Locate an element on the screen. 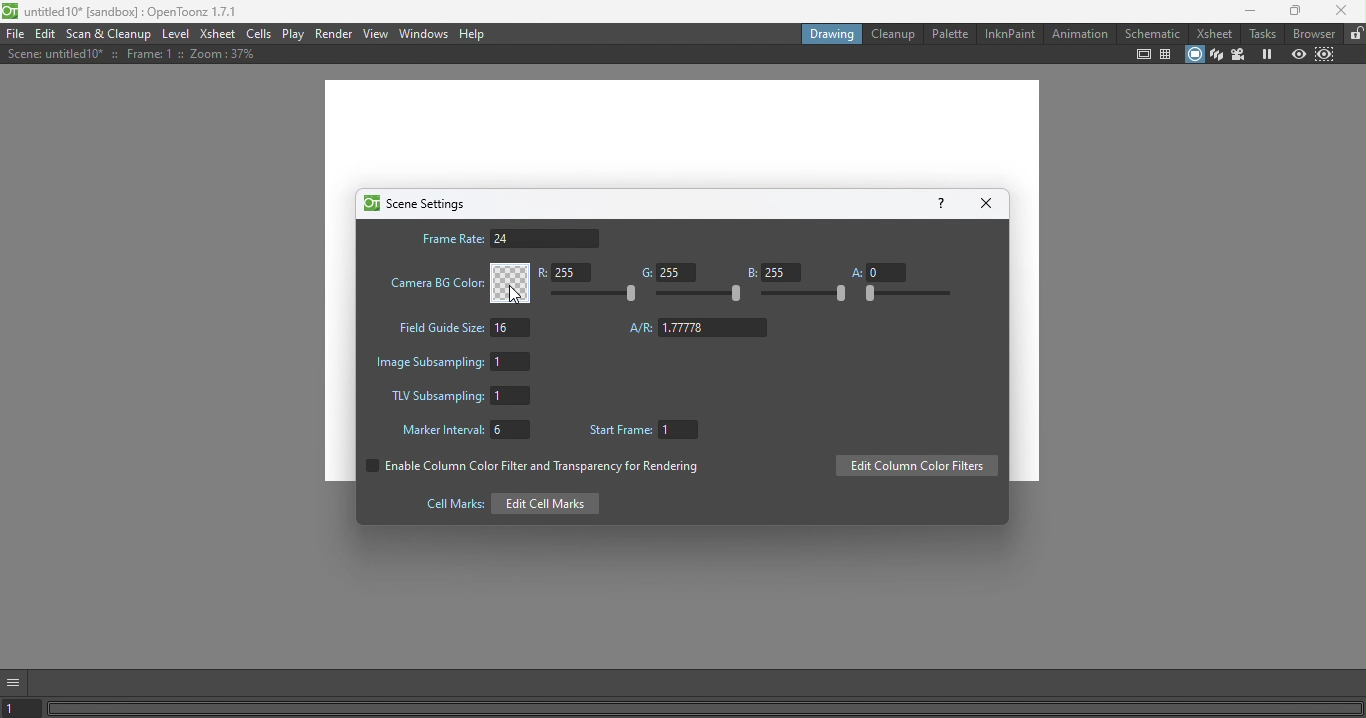  File is located at coordinates (15, 35).